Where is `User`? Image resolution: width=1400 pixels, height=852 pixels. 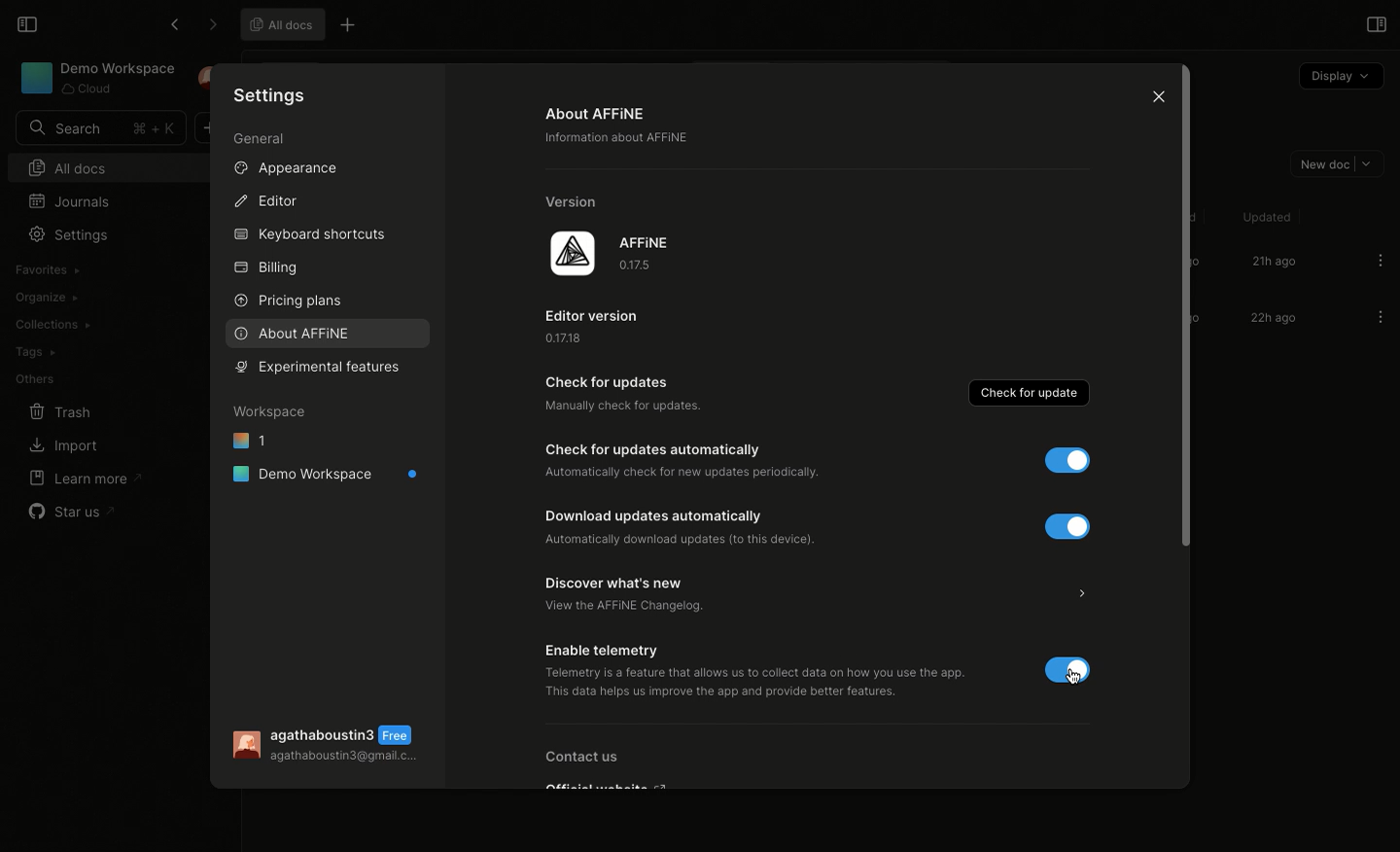
User is located at coordinates (332, 746).